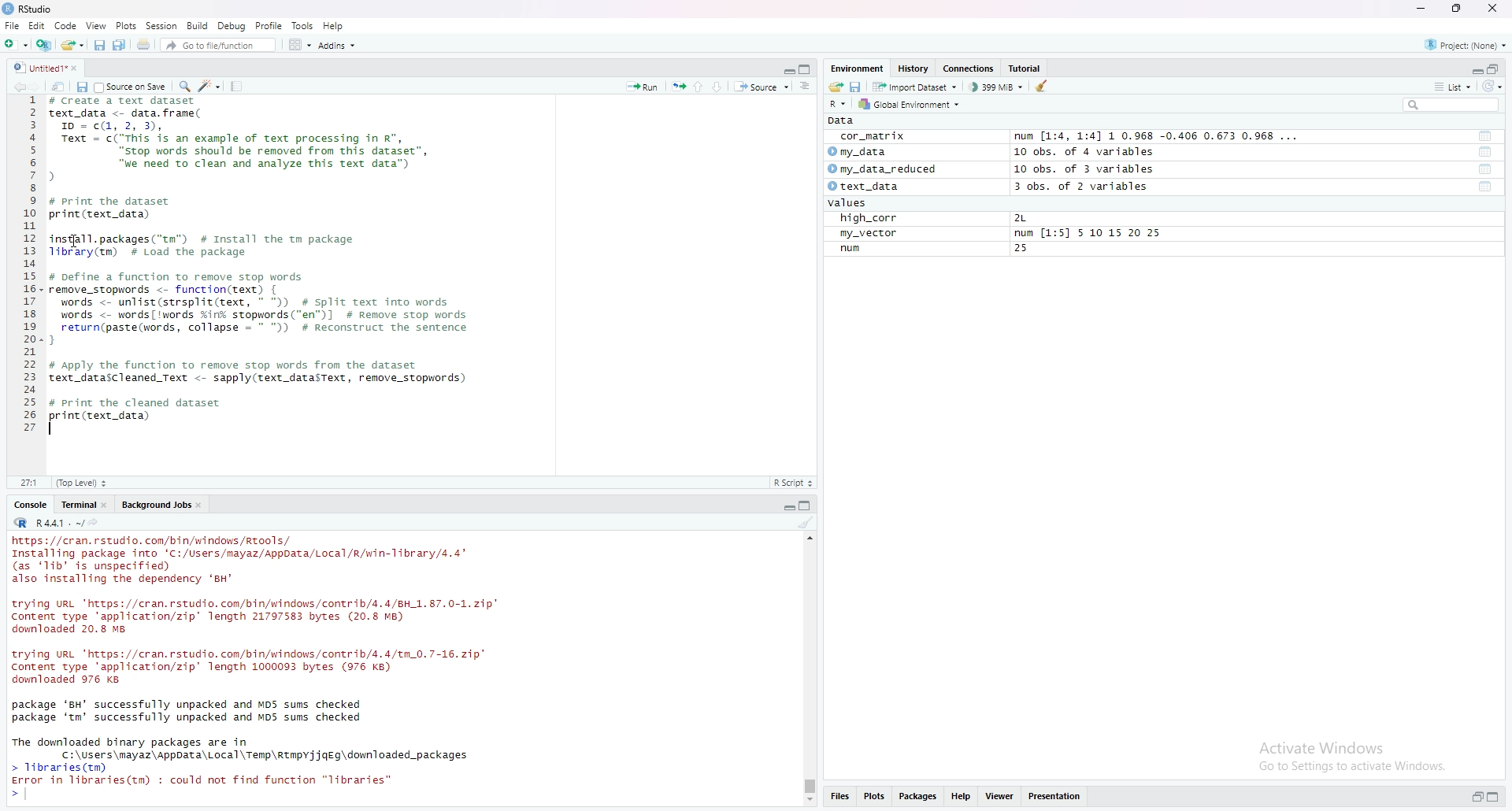 This screenshot has height=811, width=1512. Describe the element at coordinates (31, 266) in the screenshot. I see `line numbers` at that location.